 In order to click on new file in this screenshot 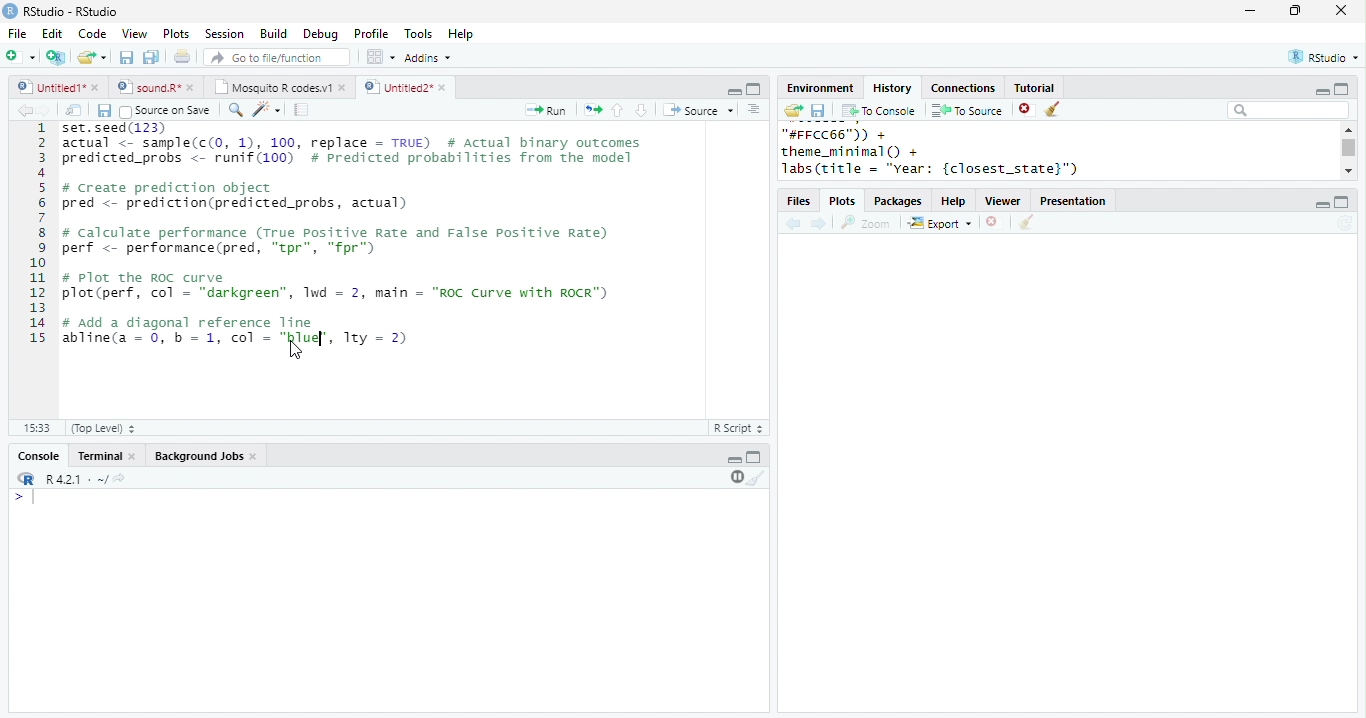, I will do `click(20, 56)`.